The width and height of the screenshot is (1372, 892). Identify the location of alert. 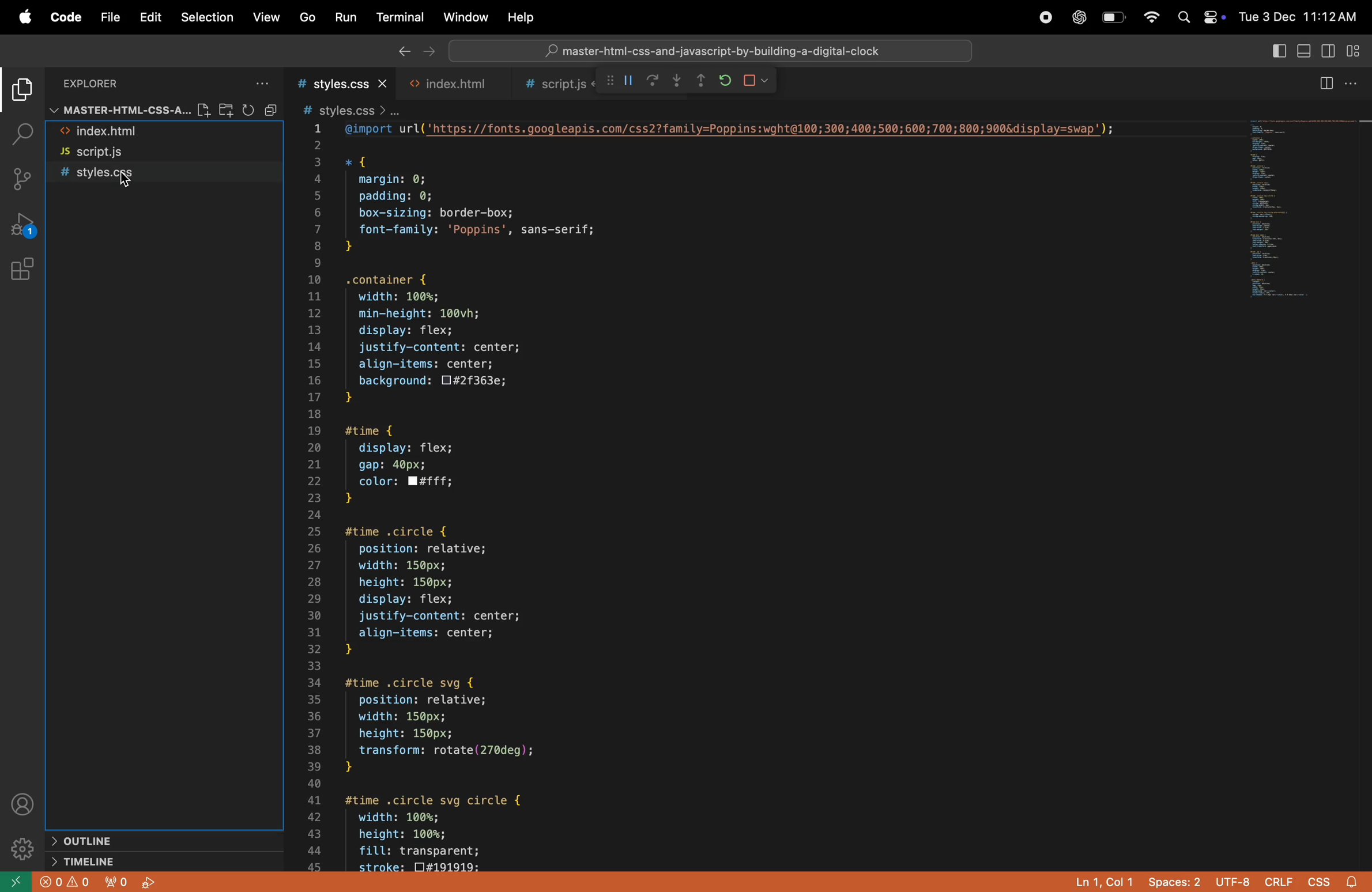
(1356, 879).